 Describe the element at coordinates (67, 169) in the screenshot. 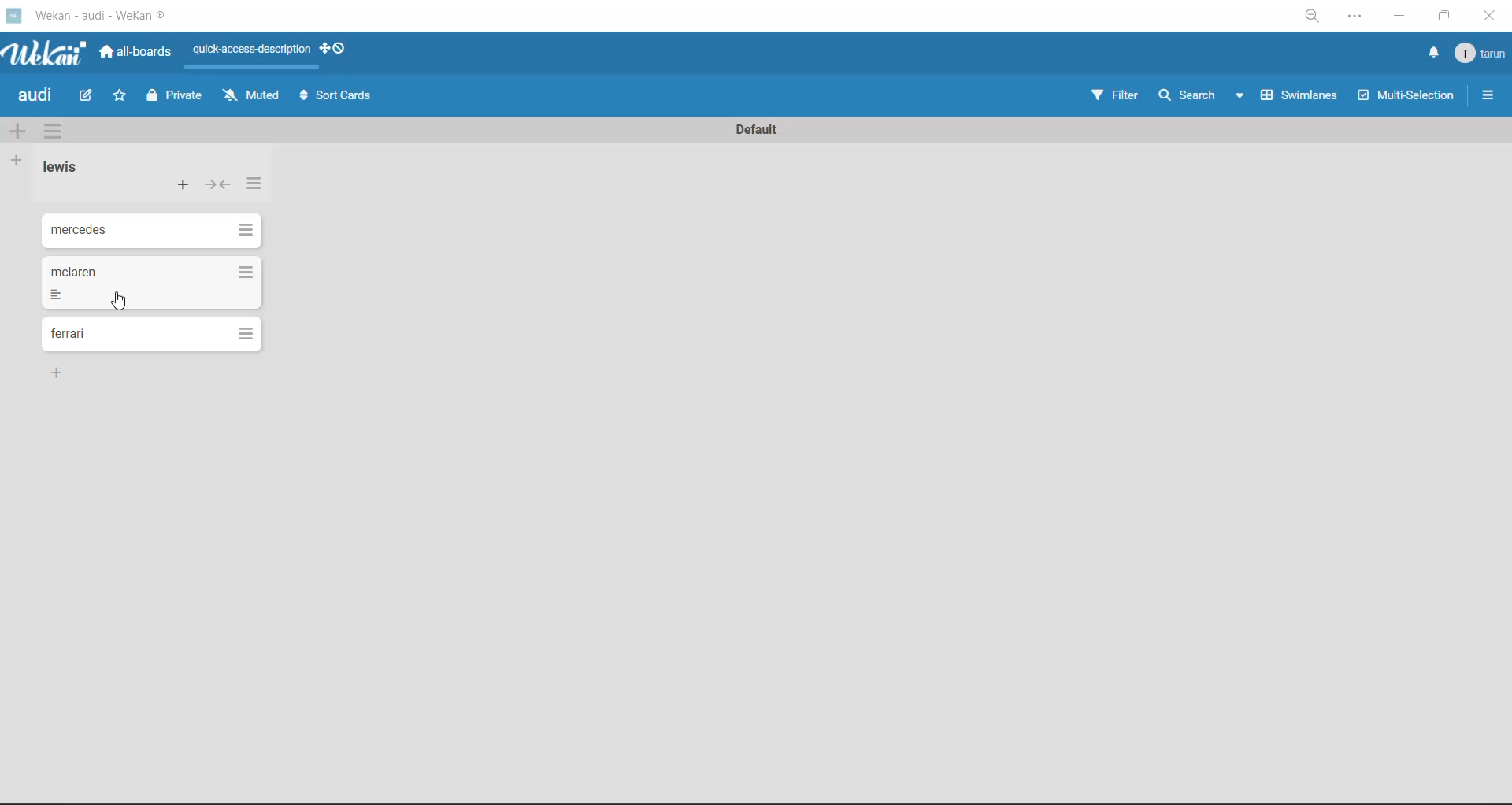

I see `list title` at that location.